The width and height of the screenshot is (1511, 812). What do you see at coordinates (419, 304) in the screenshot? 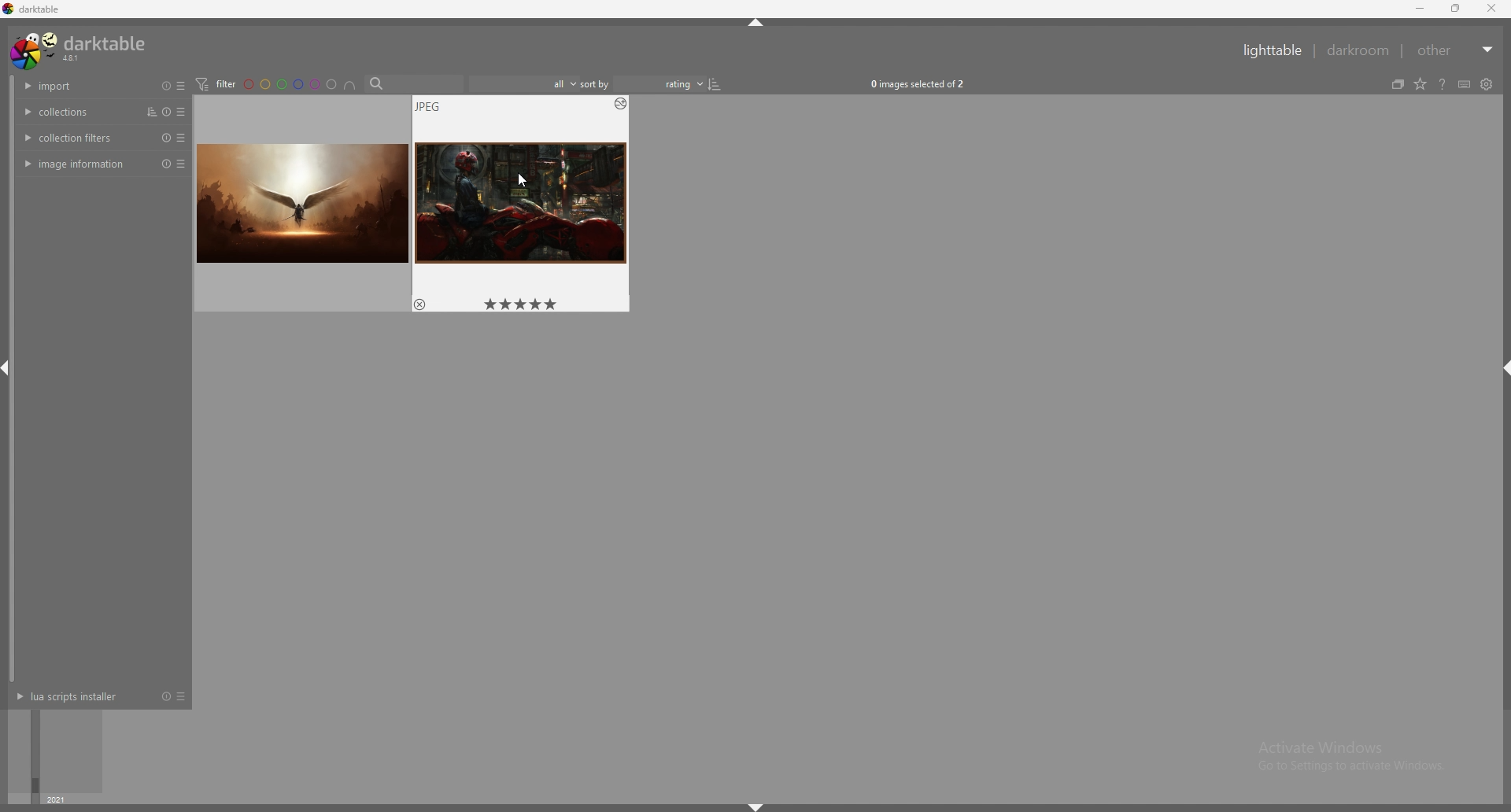
I see `reject` at bounding box center [419, 304].